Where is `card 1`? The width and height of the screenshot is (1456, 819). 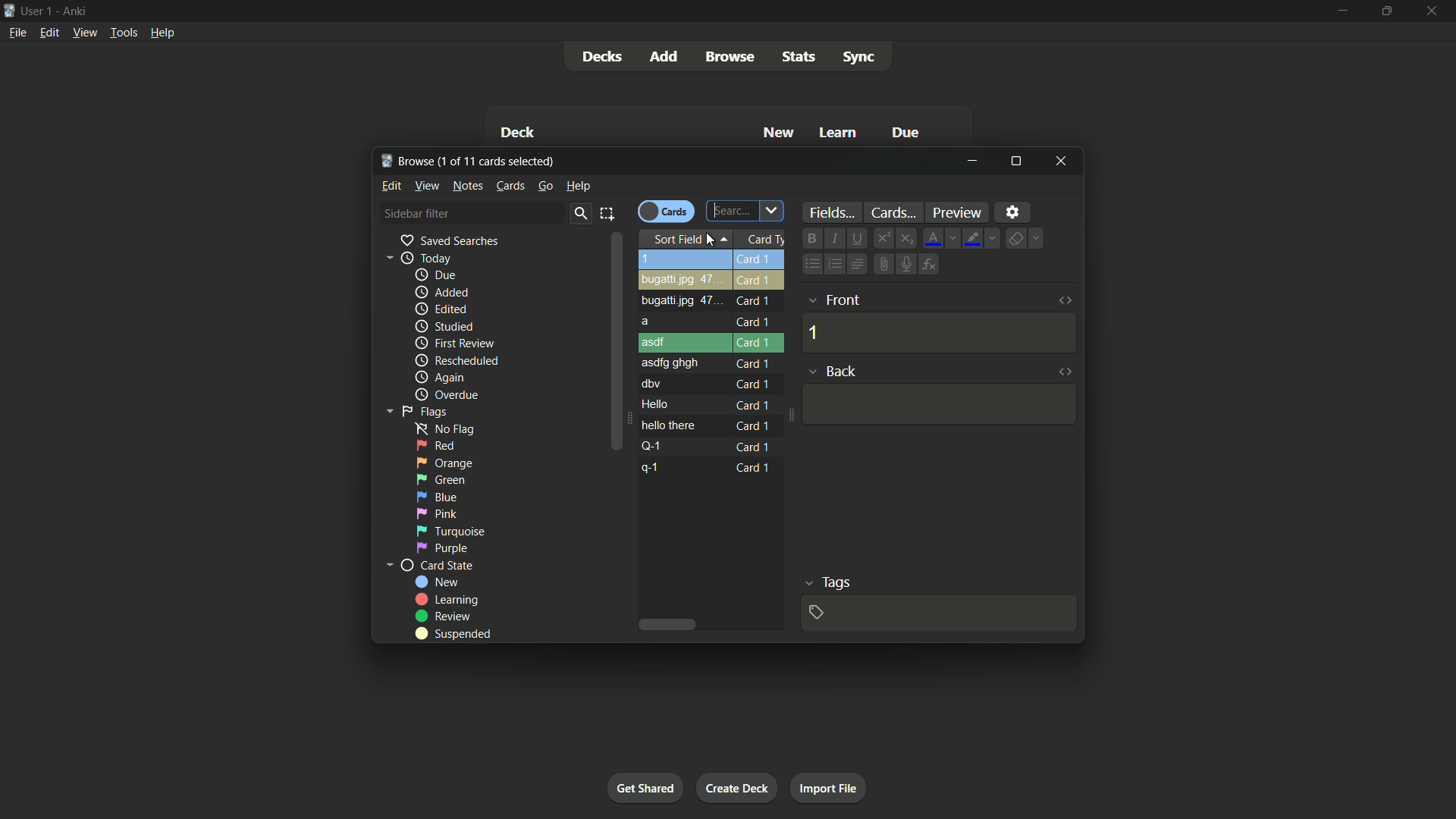 card 1 is located at coordinates (753, 362).